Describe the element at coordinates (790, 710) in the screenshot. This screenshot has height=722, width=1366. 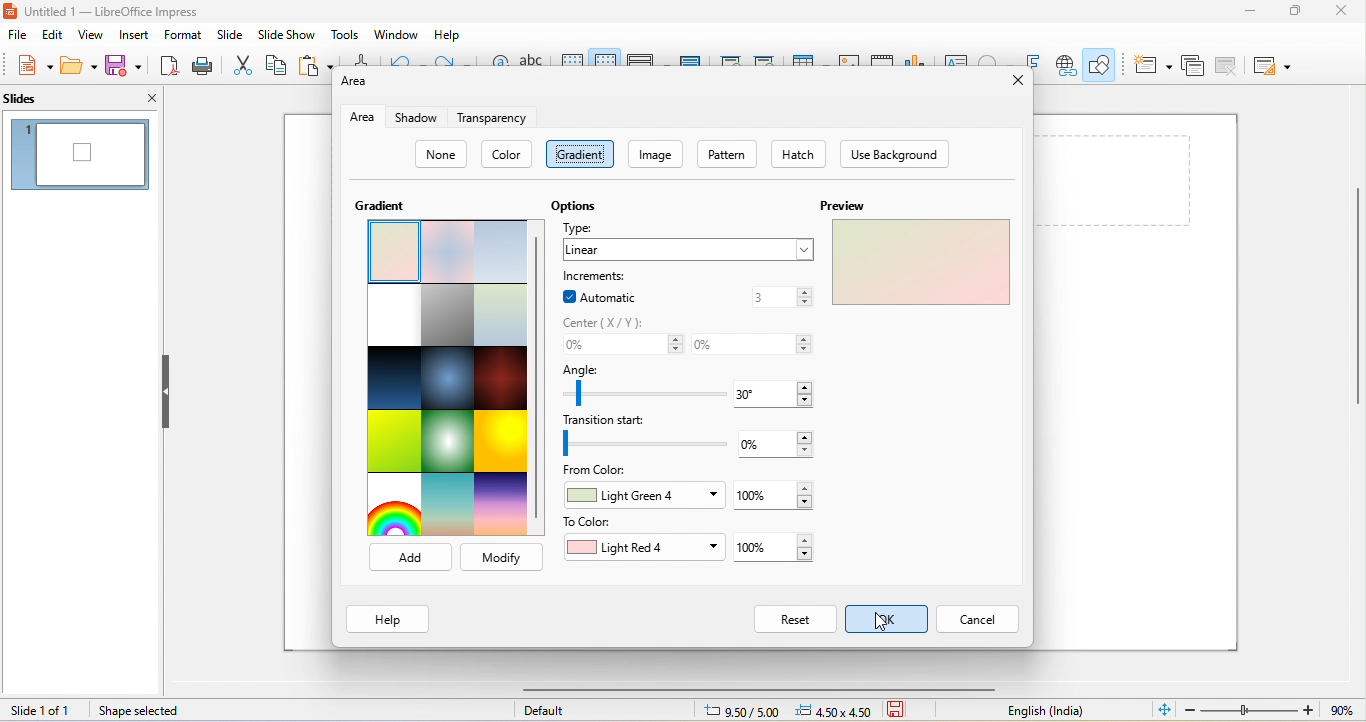
I see `cursor and object position changed` at that location.